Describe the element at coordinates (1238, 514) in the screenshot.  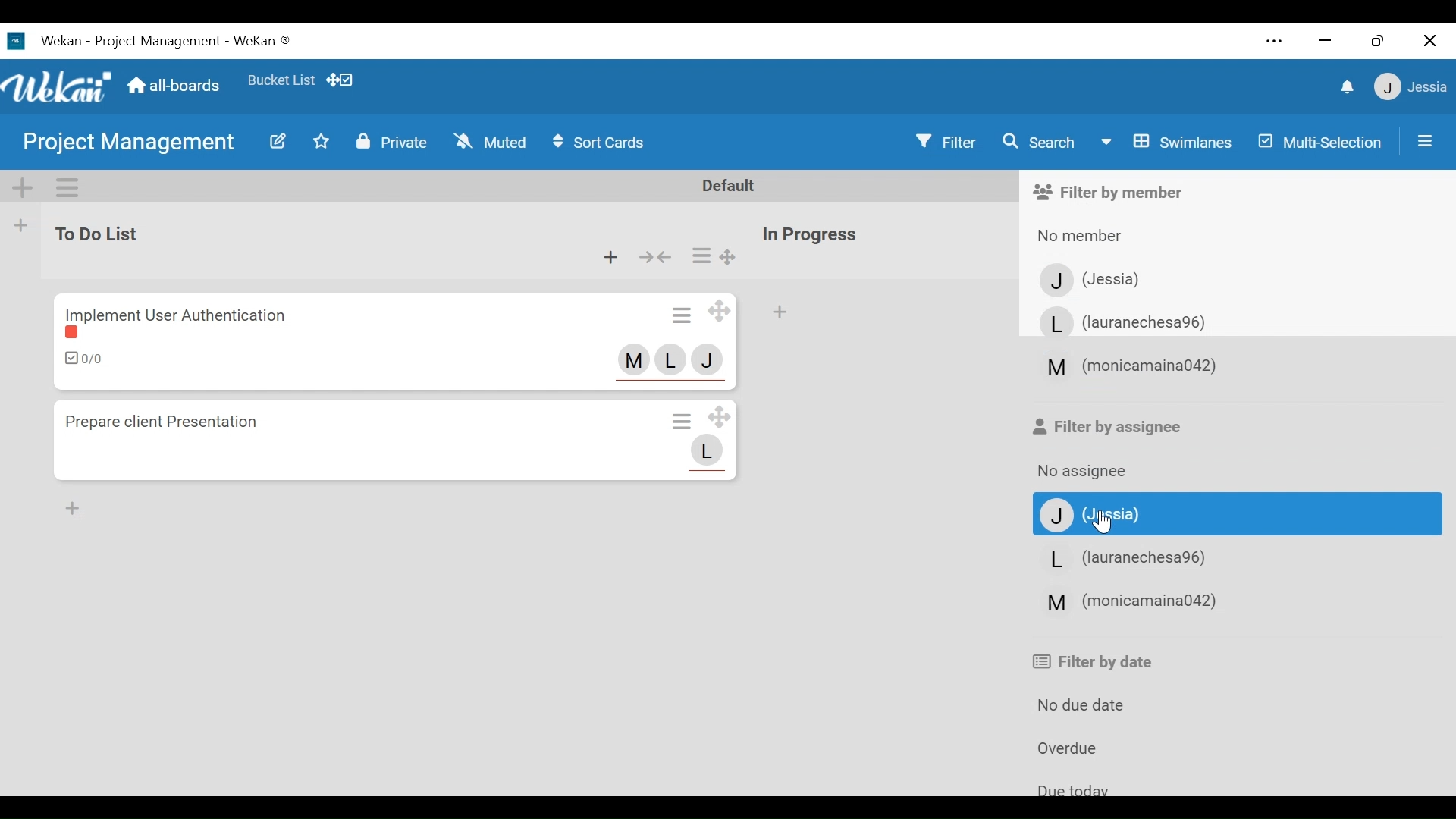
I see `Member` at that location.